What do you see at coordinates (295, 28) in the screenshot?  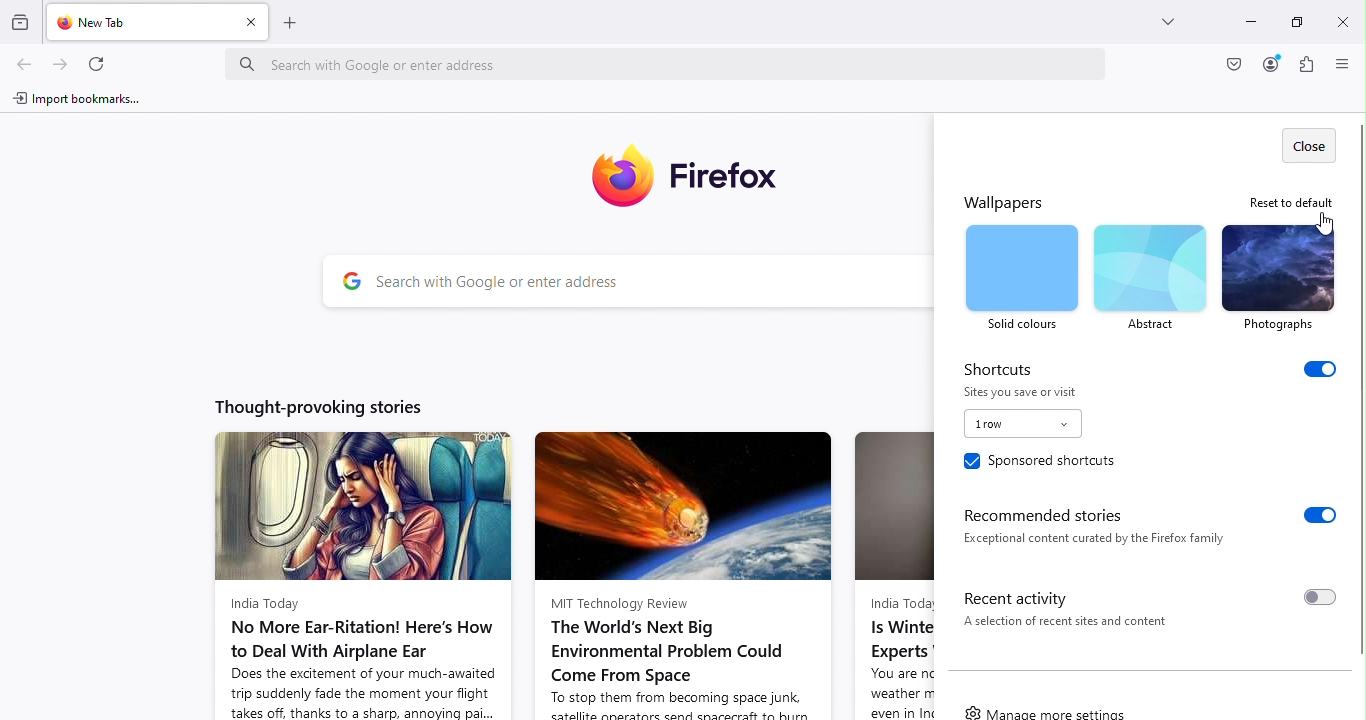 I see `Add a new tab` at bounding box center [295, 28].